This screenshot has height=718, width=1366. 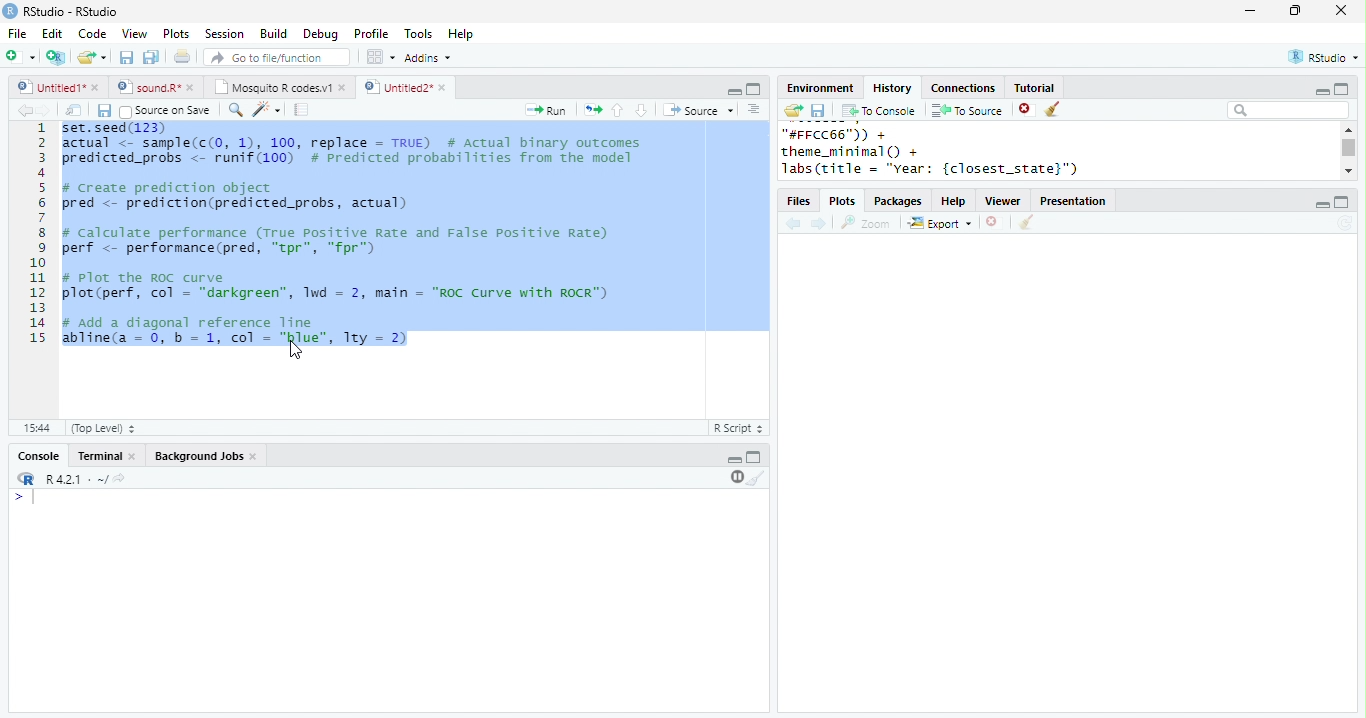 I want to click on Debug, so click(x=323, y=35).